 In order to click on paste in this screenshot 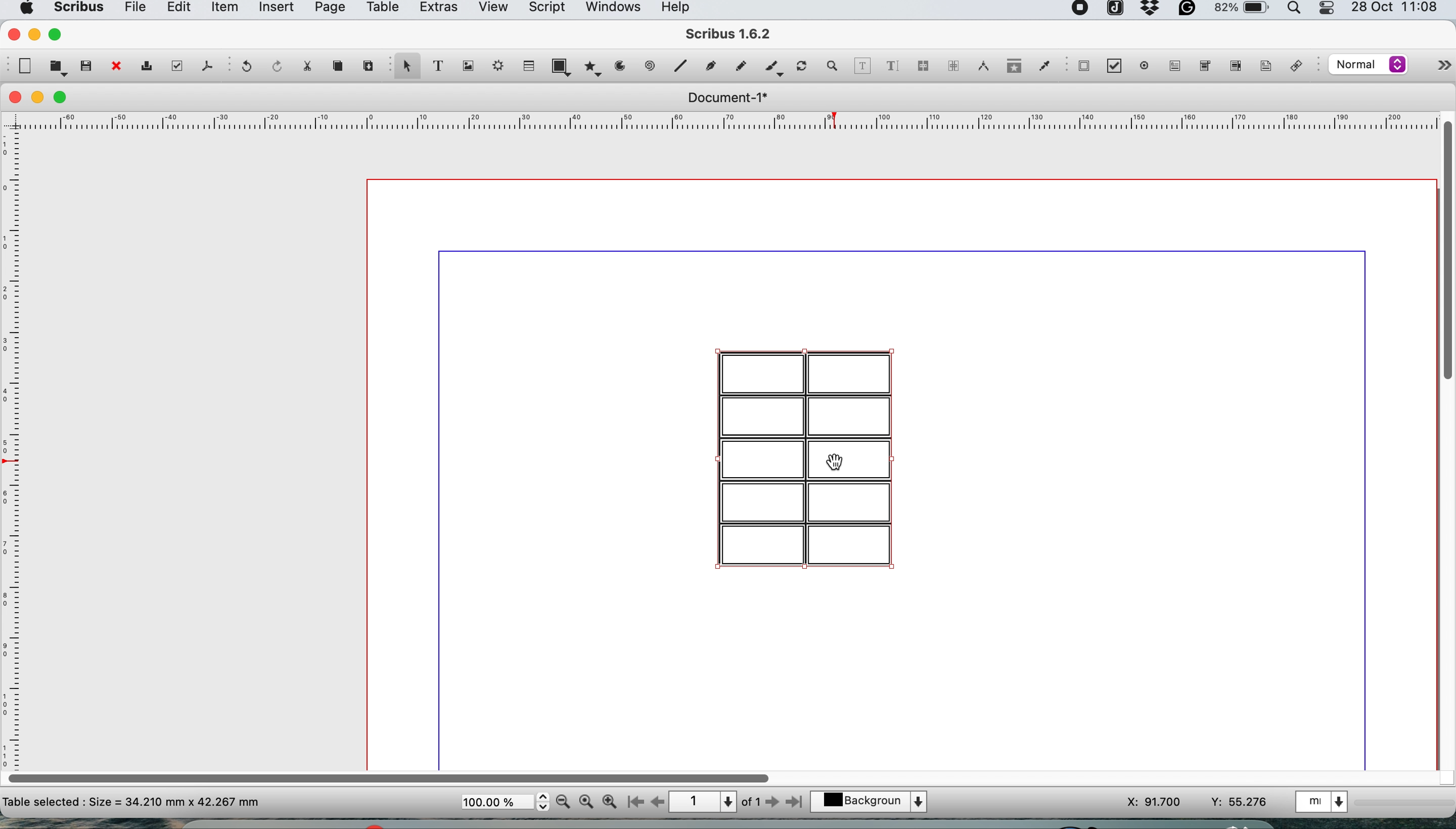, I will do `click(367, 64)`.